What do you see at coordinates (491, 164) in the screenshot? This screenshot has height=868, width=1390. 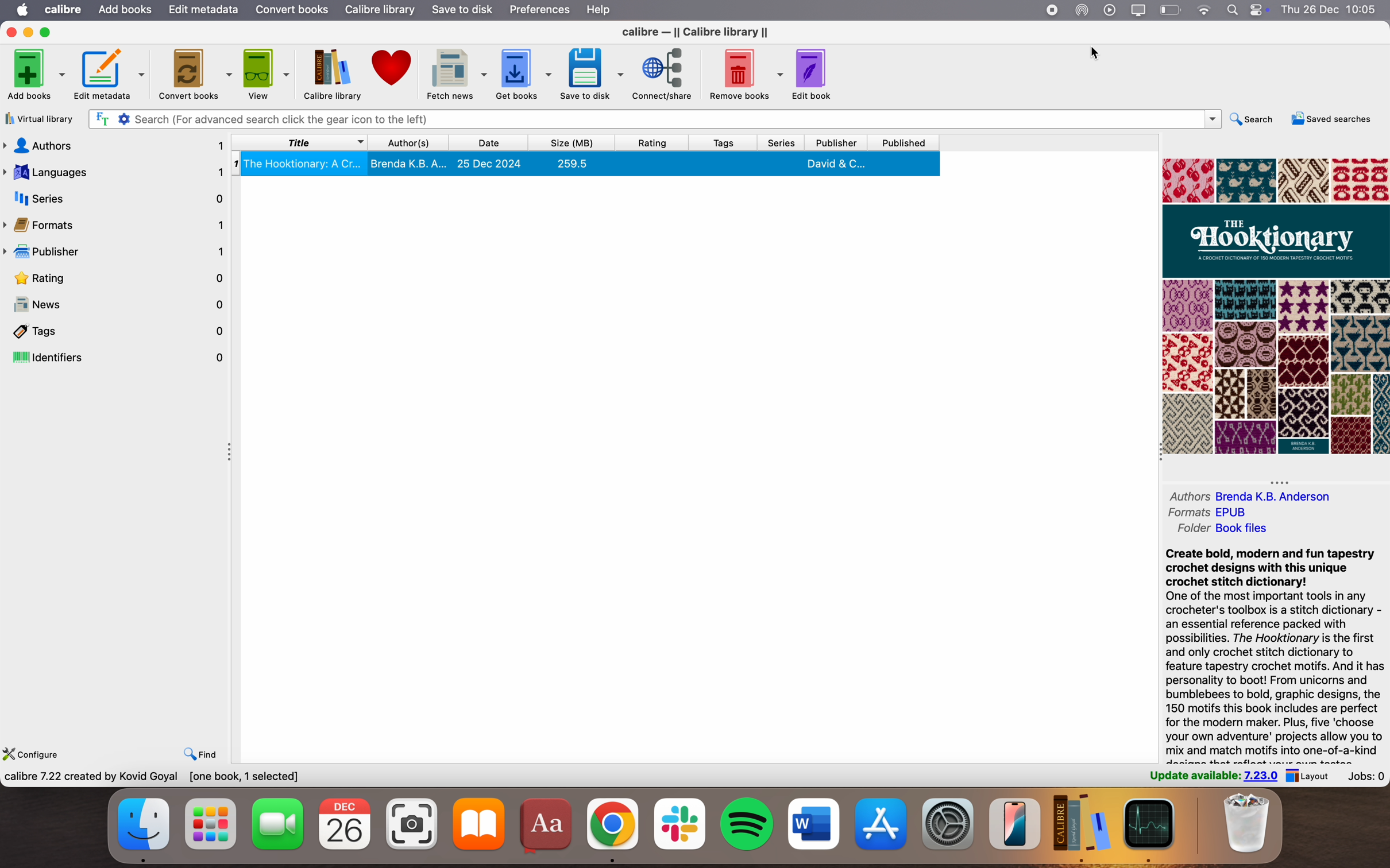 I see `25 Dec 2024` at bounding box center [491, 164].